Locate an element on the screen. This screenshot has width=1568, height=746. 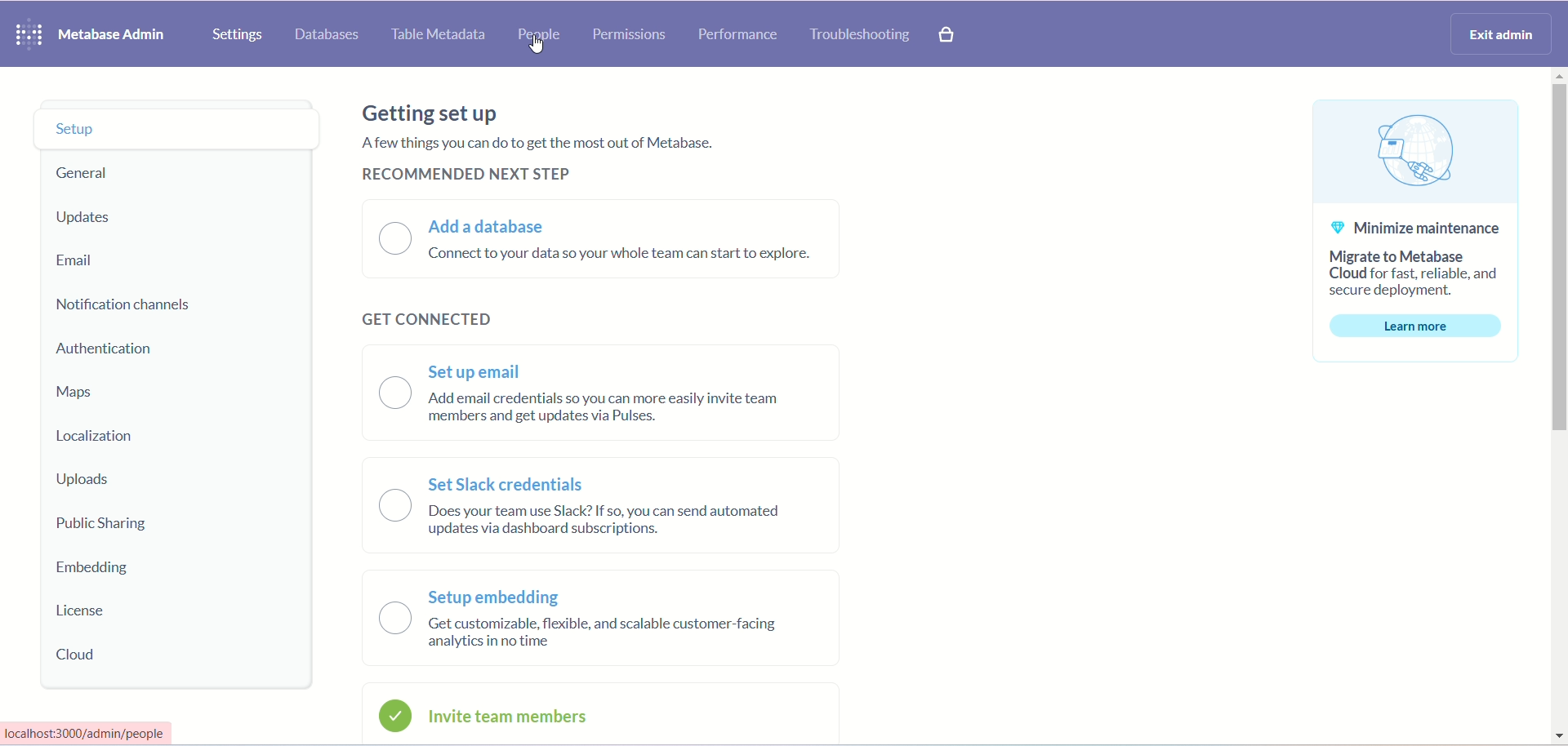
authentication is located at coordinates (102, 345).